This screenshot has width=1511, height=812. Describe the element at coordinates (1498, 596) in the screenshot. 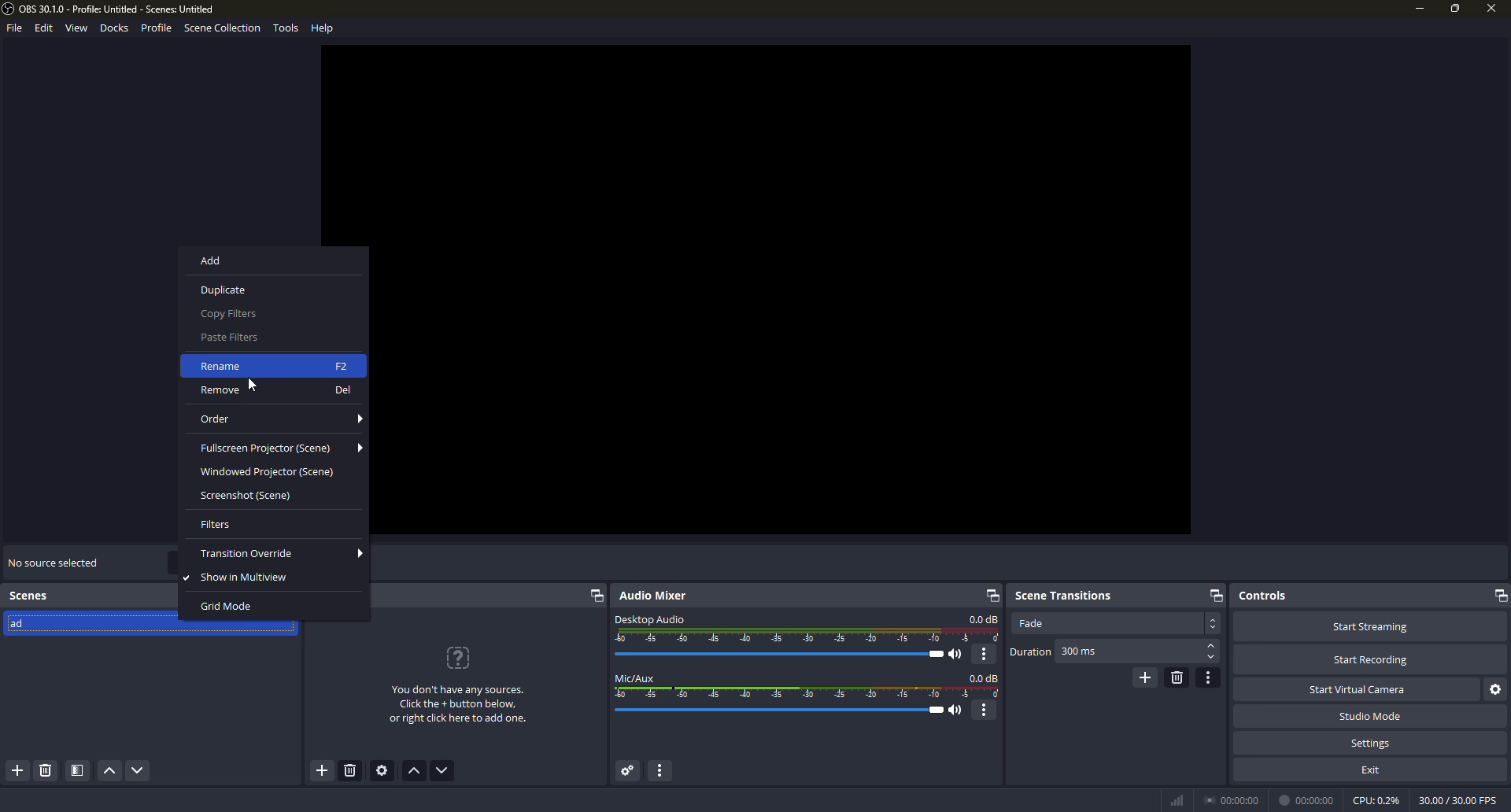

I see `expand` at that location.